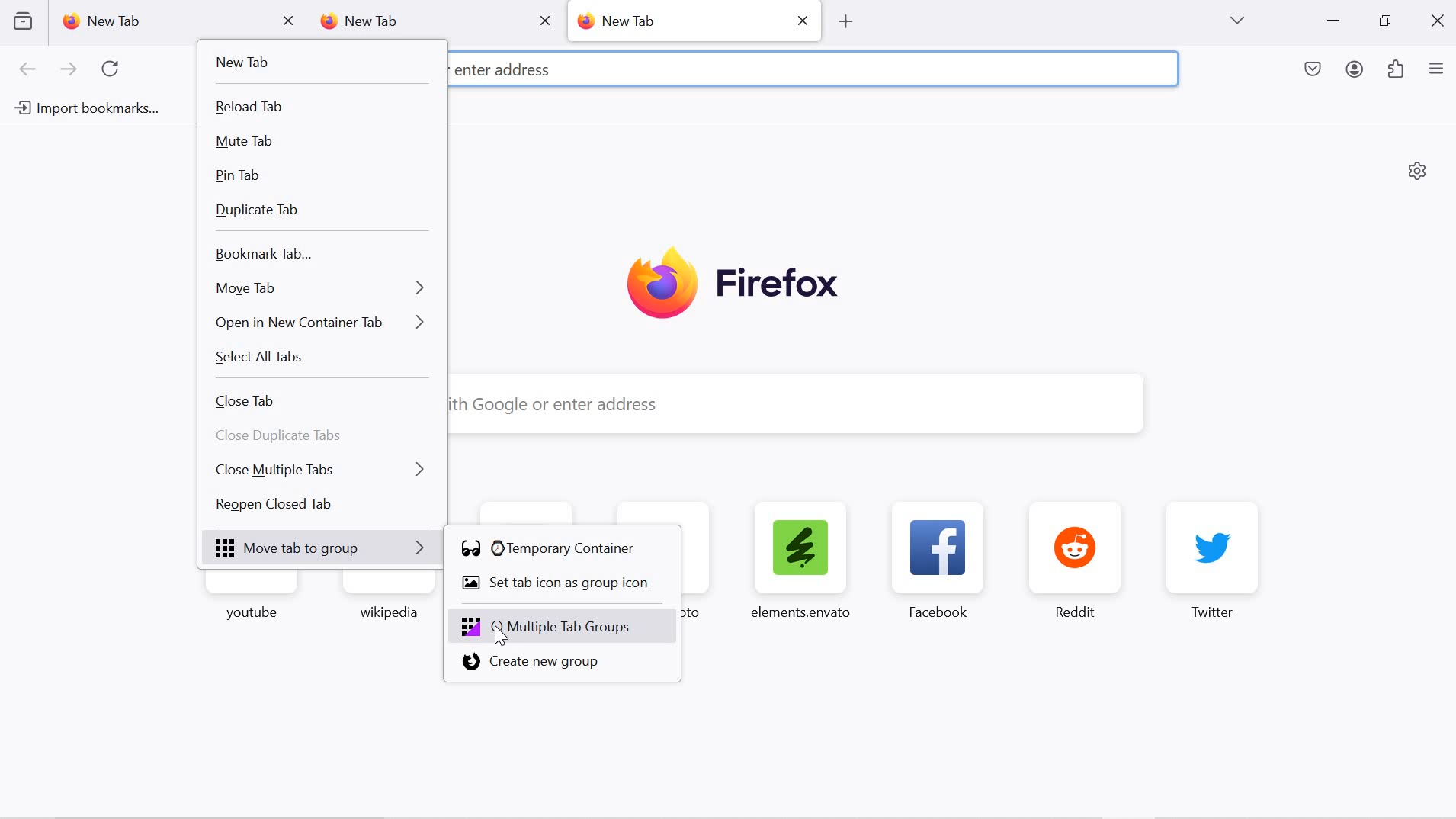  I want to click on close, so click(544, 20).